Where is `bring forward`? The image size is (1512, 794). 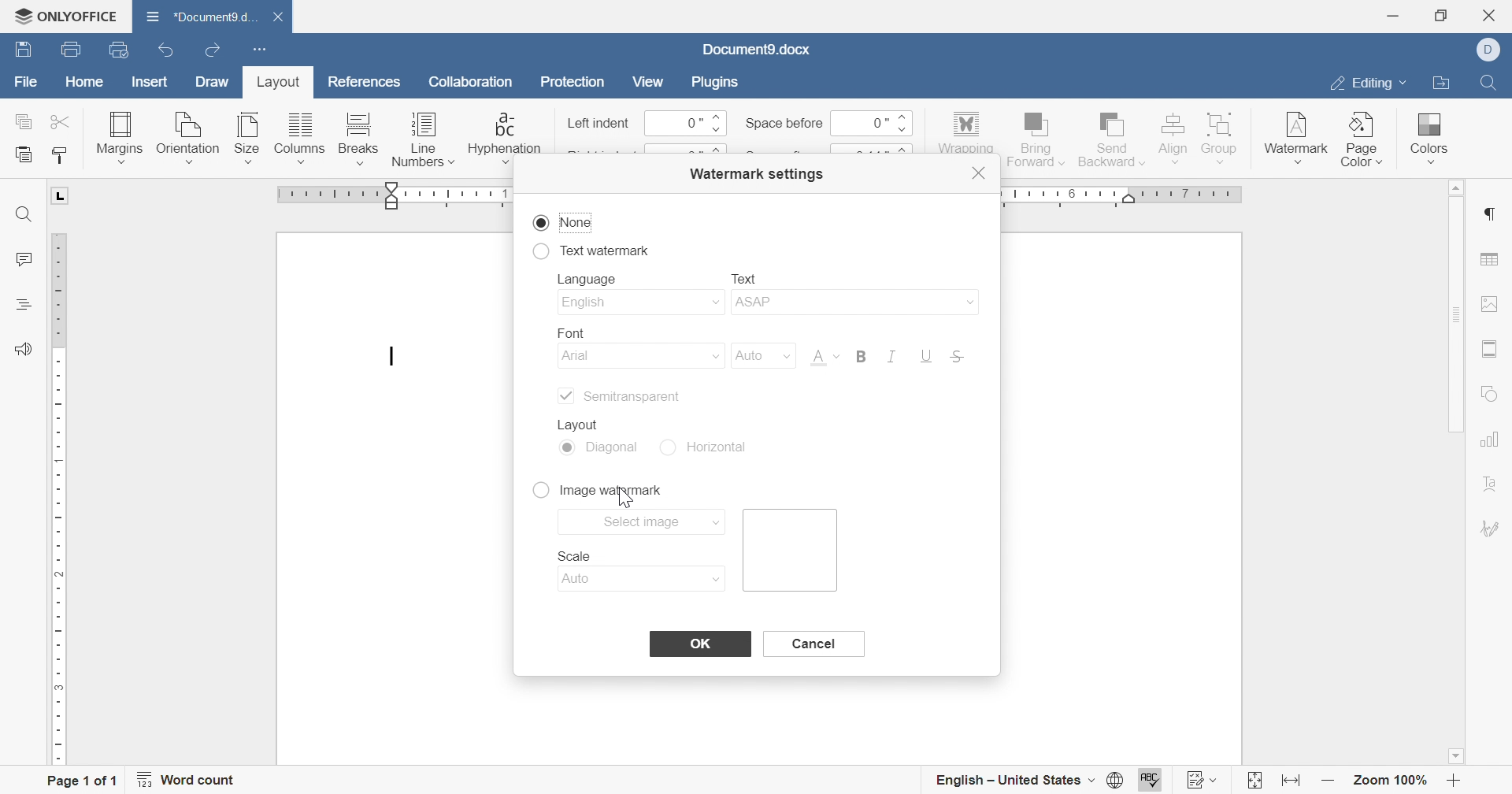 bring forward is located at coordinates (1034, 137).